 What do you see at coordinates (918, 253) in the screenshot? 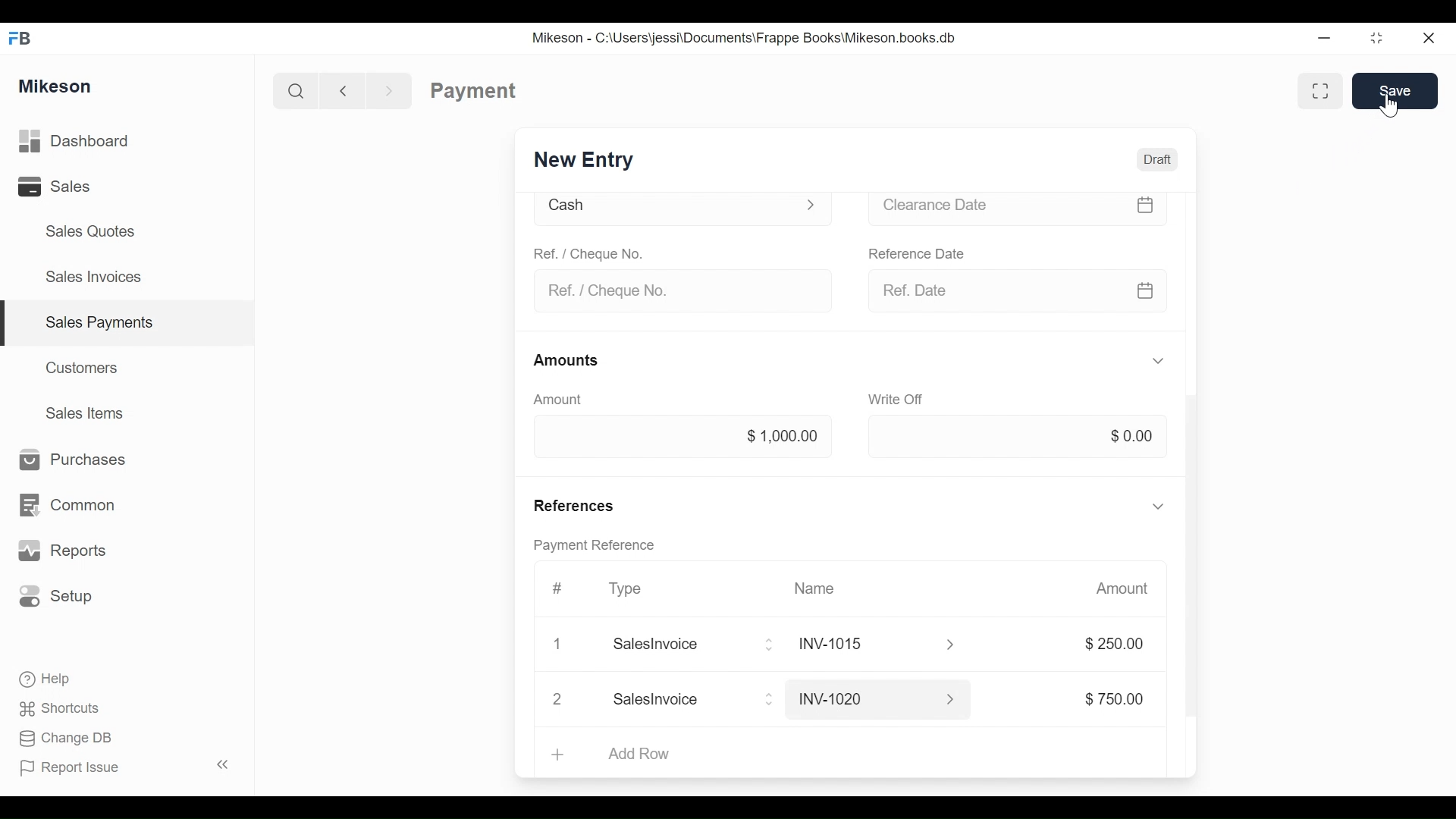
I see `Reference date` at bounding box center [918, 253].